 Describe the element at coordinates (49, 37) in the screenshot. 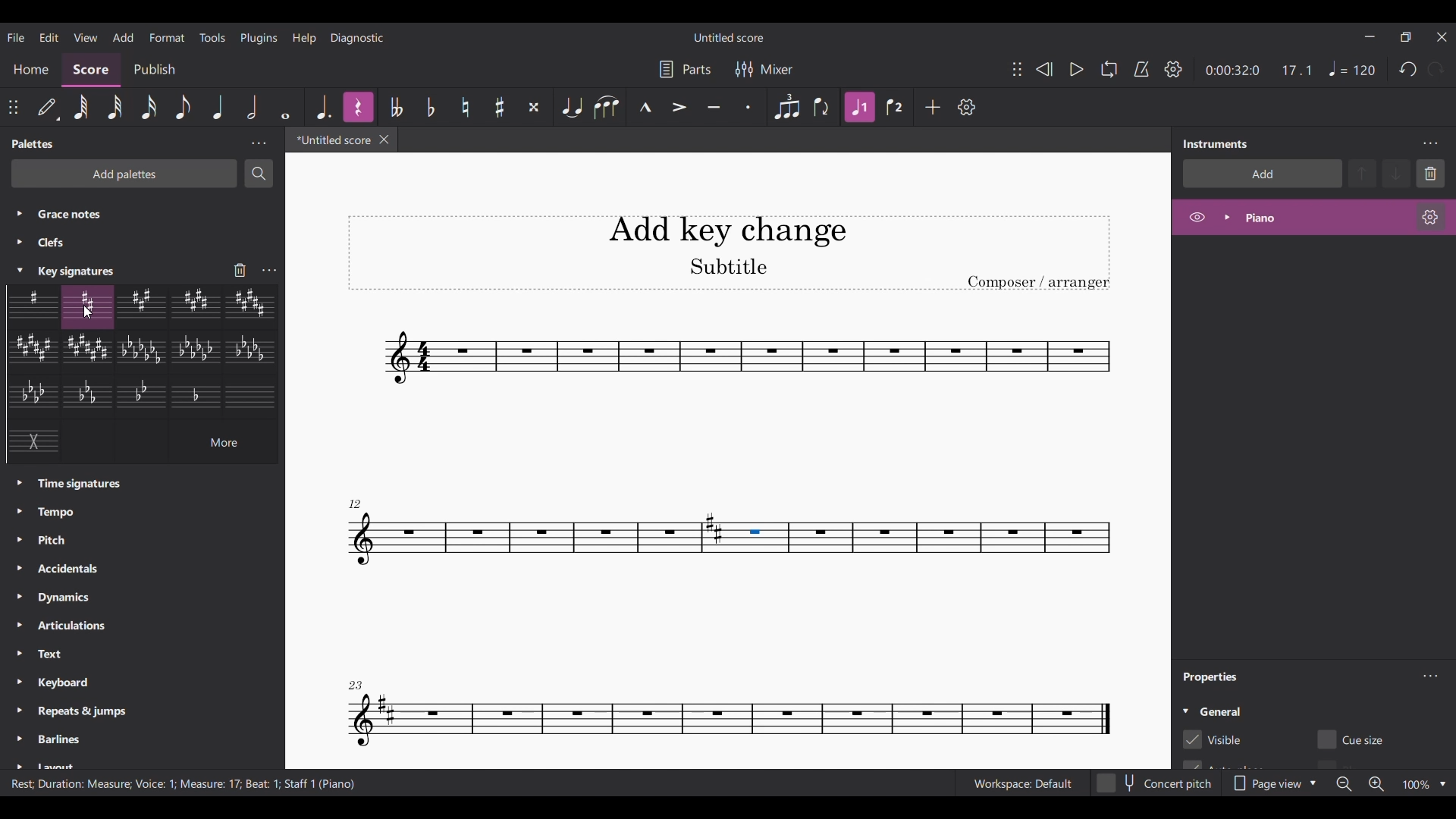

I see `Edit menu` at that location.